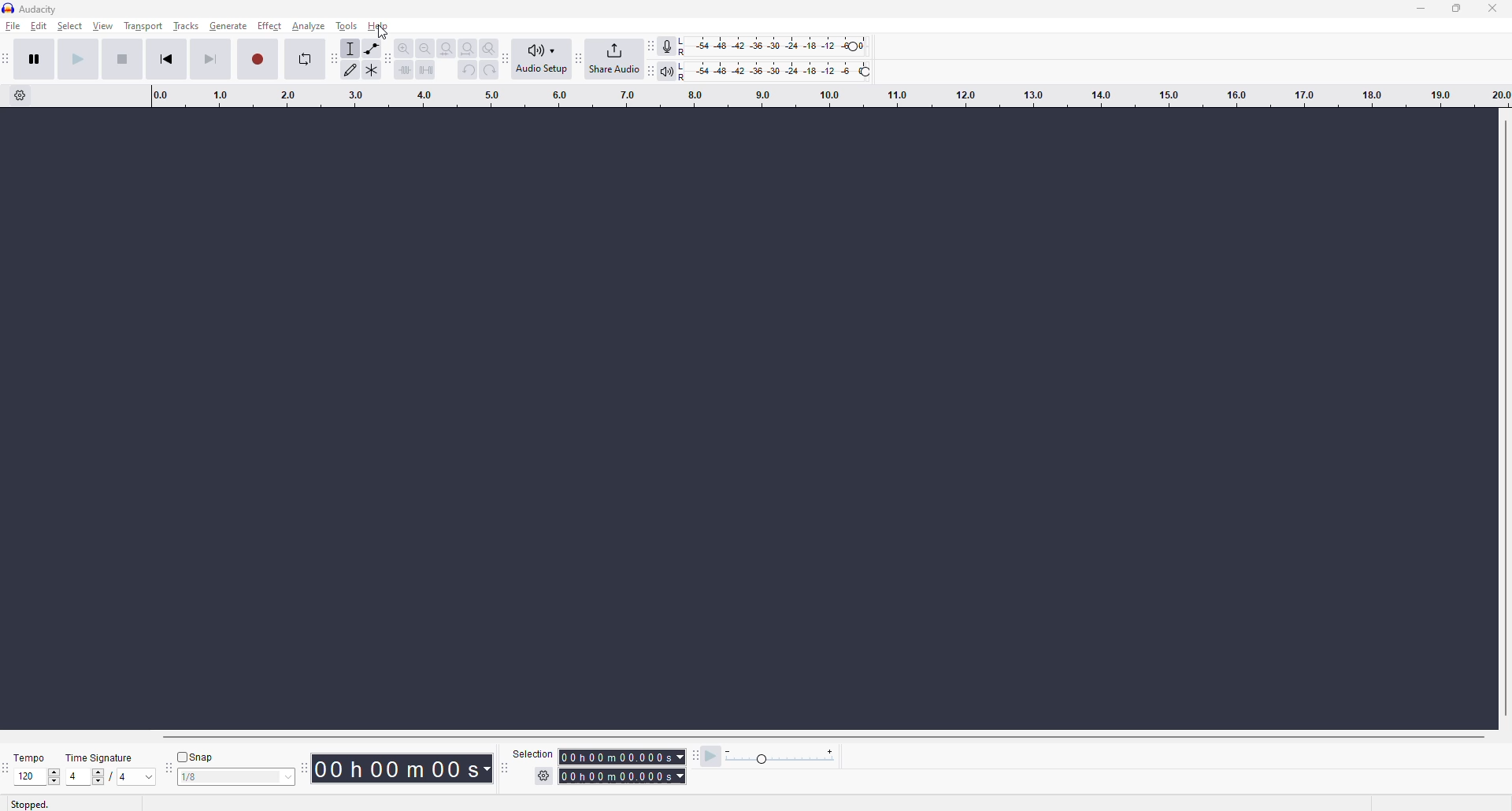 The height and width of the screenshot is (811, 1512). Describe the element at coordinates (624, 766) in the screenshot. I see `time` at that location.